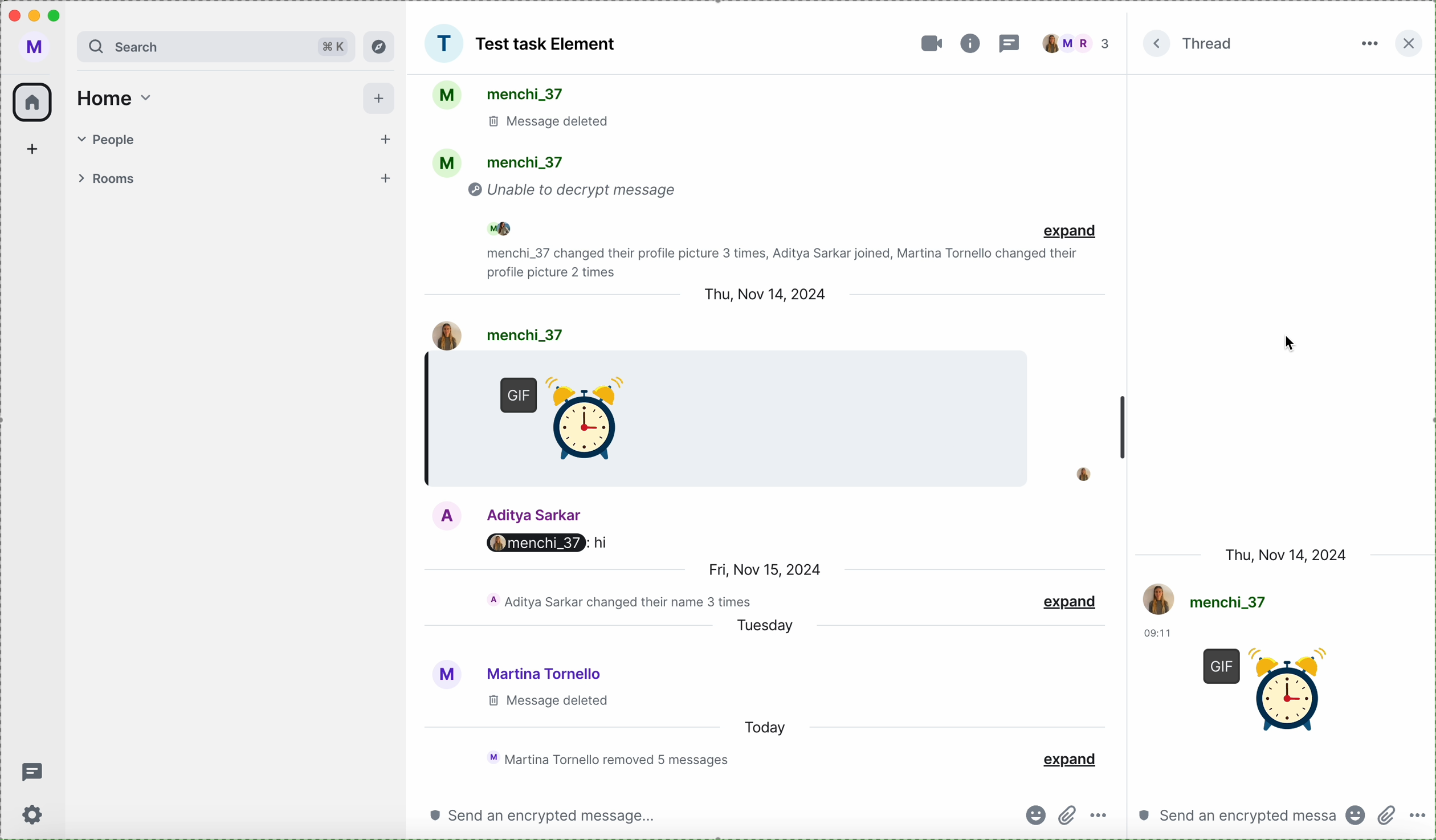 Image resolution: width=1436 pixels, height=840 pixels. Describe the element at coordinates (236, 180) in the screenshot. I see `rooms` at that location.